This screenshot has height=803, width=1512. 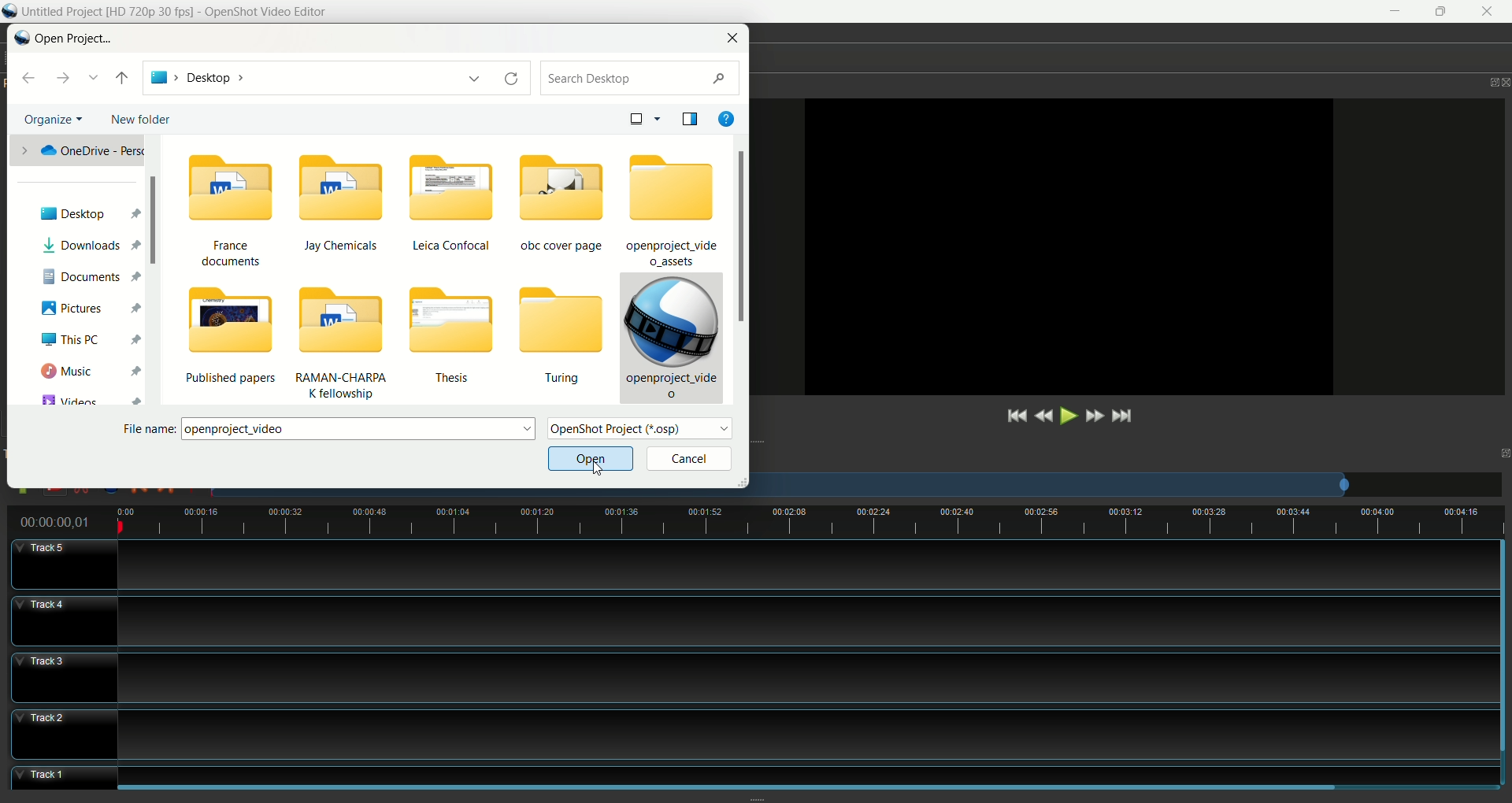 I want to click on track 2, so click(x=747, y=732).